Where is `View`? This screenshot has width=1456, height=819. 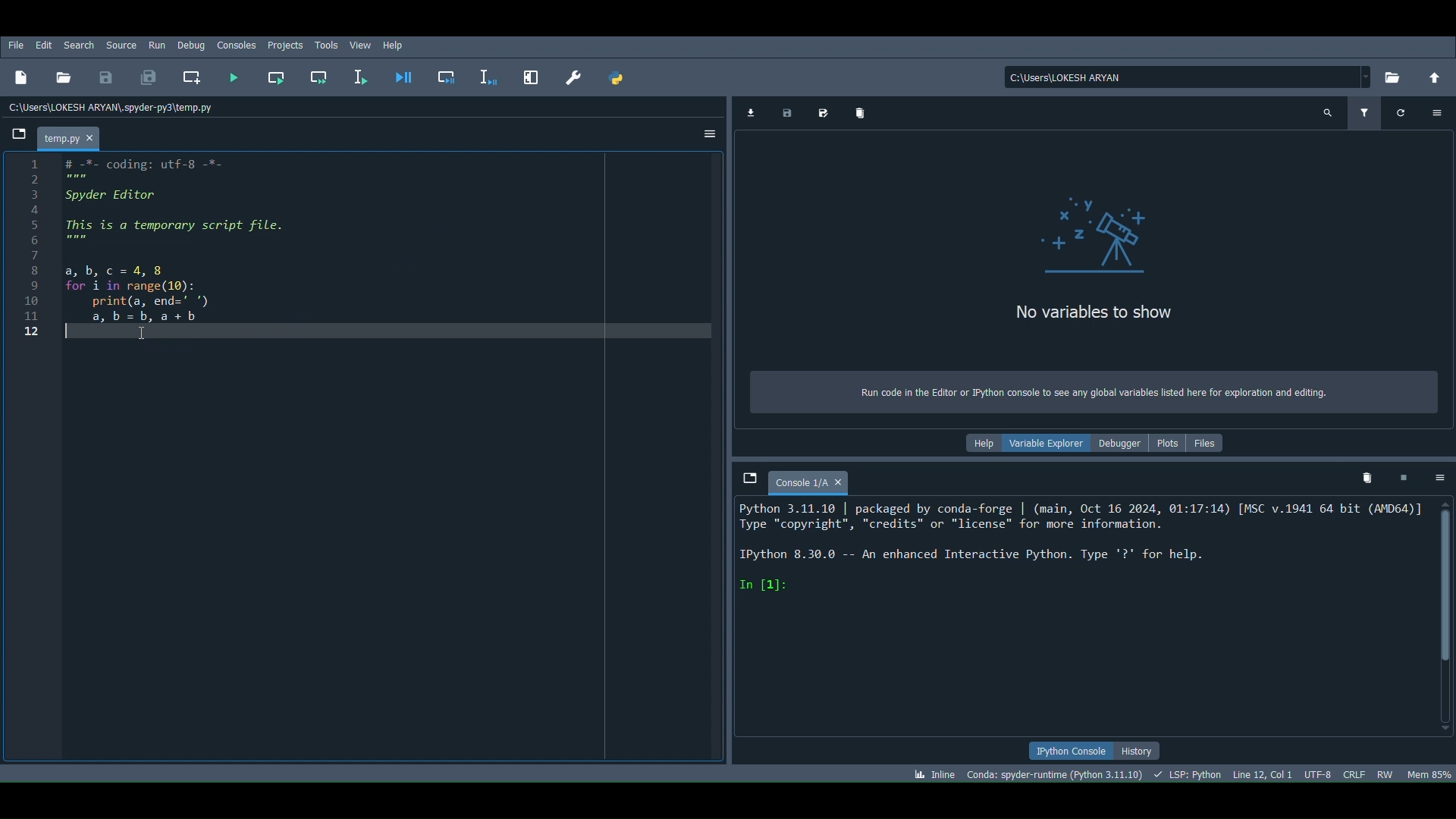
View is located at coordinates (361, 45).